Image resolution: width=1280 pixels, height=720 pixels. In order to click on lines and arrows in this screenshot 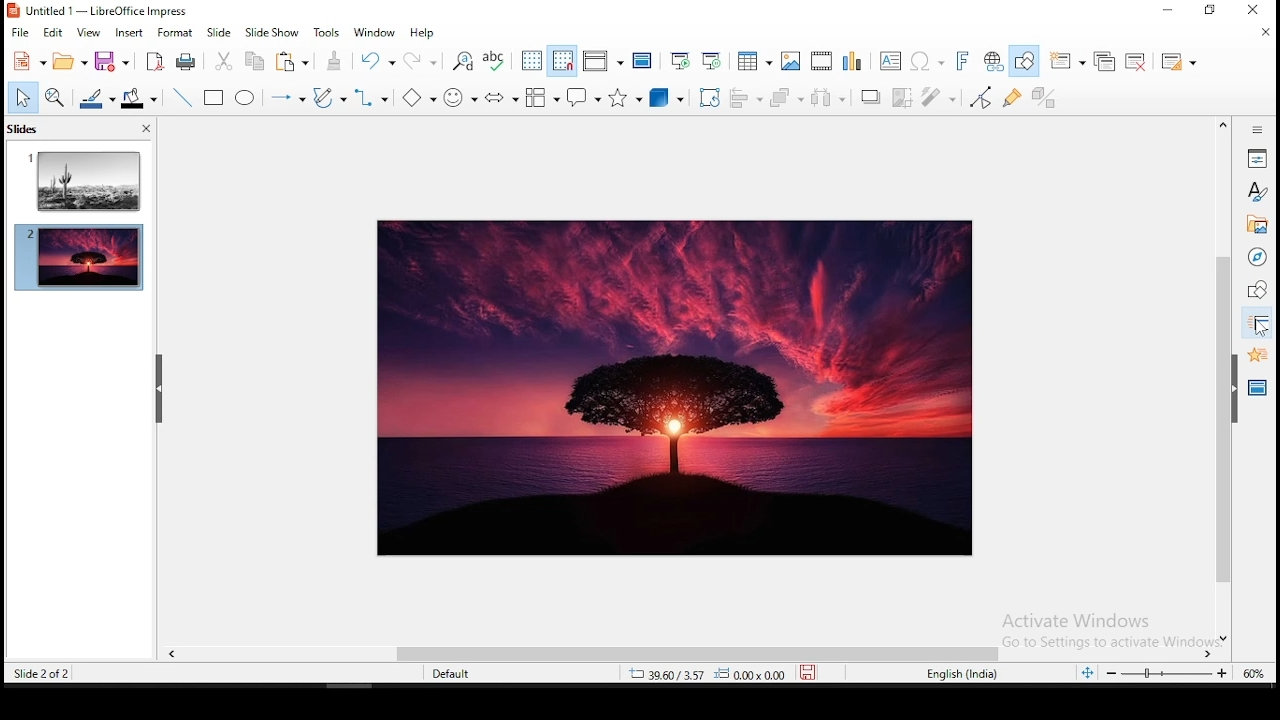, I will do `click(287, 100)`.